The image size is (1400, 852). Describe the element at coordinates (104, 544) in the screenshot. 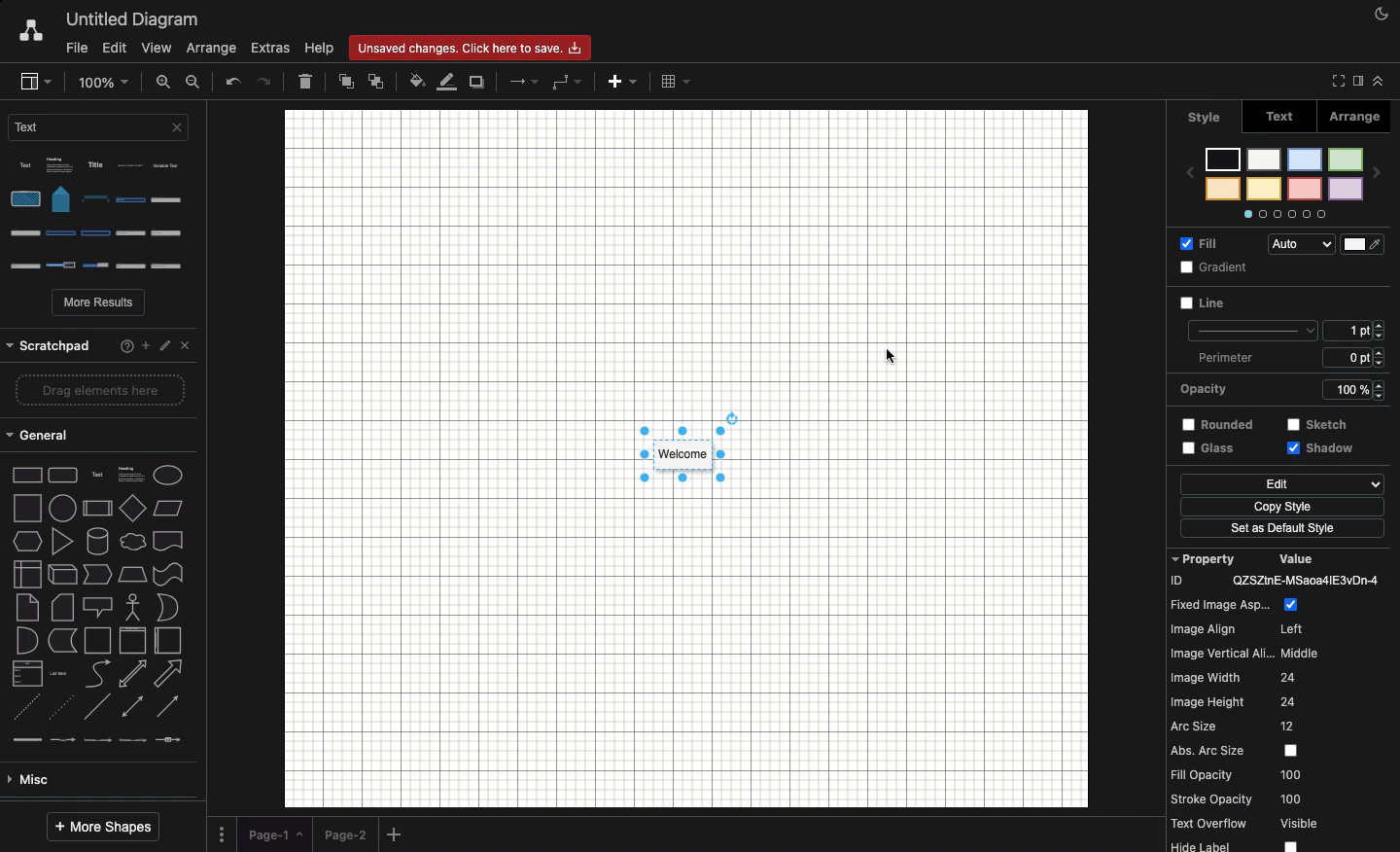

I see `type of arrow` at that location.